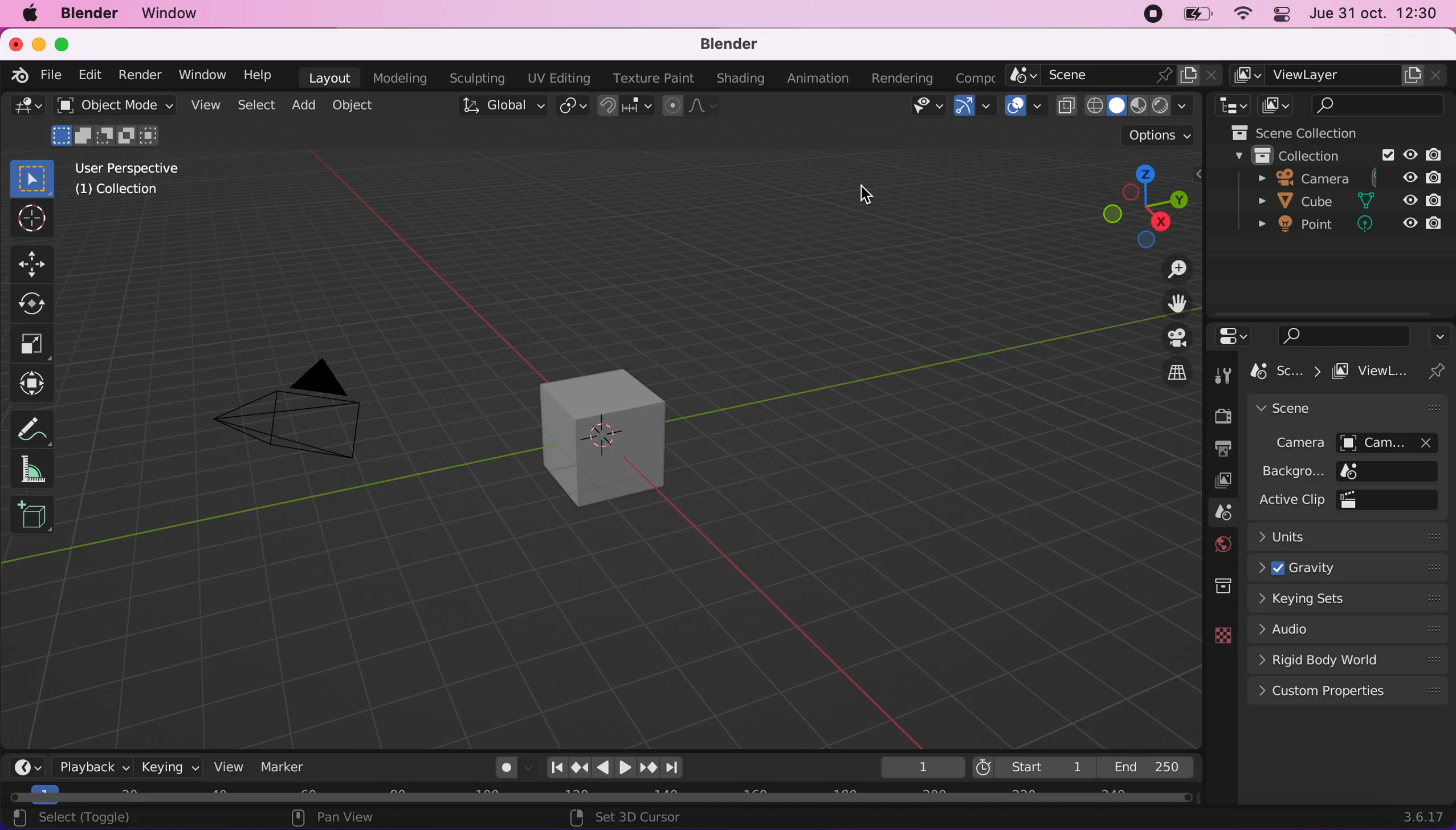 The image size is (1456, 830). Describe the element at coordinates (736, 44) in the screenshot. I see `blender` at that location.